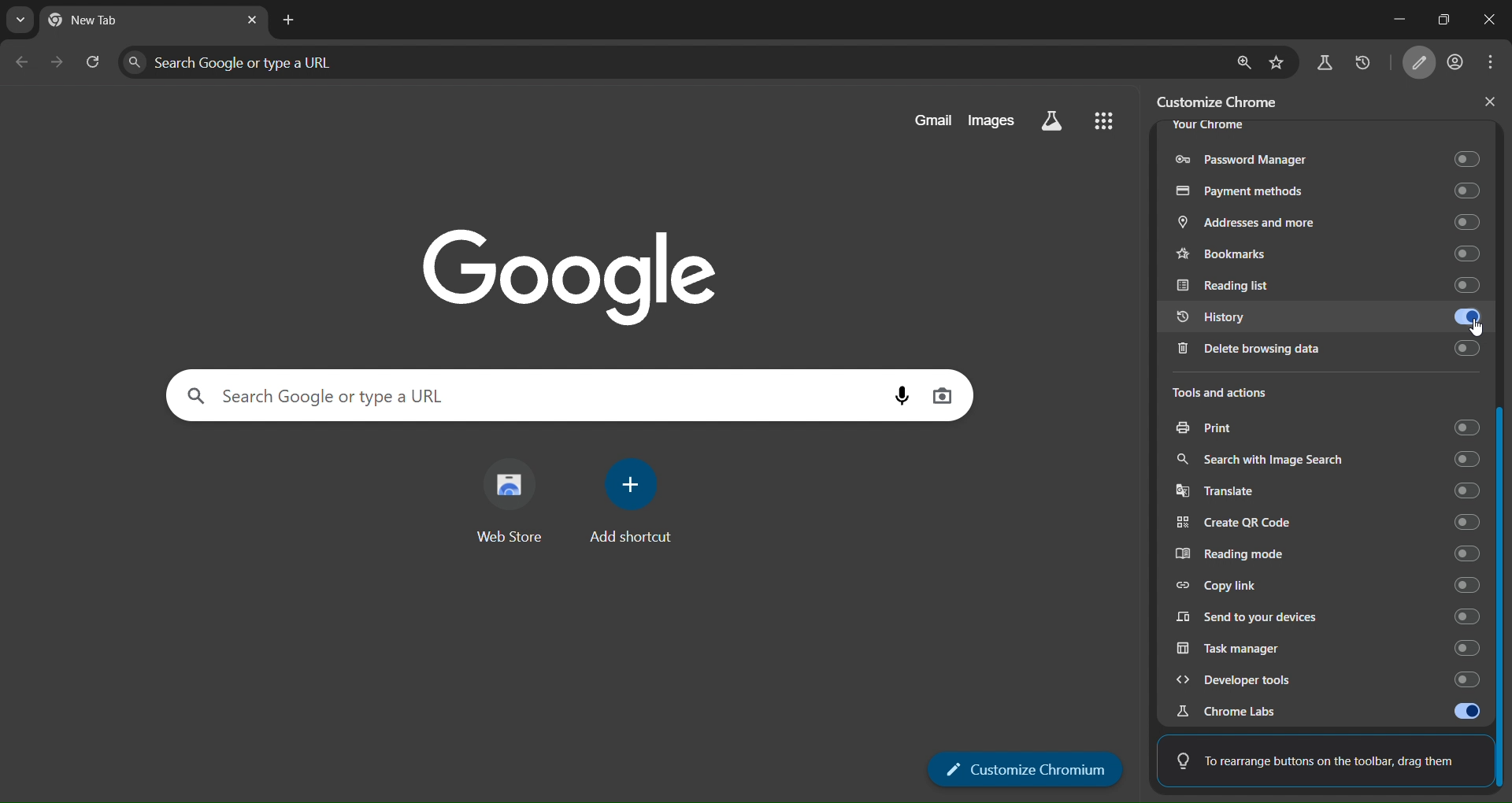 Image resolution: width=1512 pixels, height=803 pixels. Describe the element at coordinates (1320, 679) in the screenshot. I see `developer tools` at that location.